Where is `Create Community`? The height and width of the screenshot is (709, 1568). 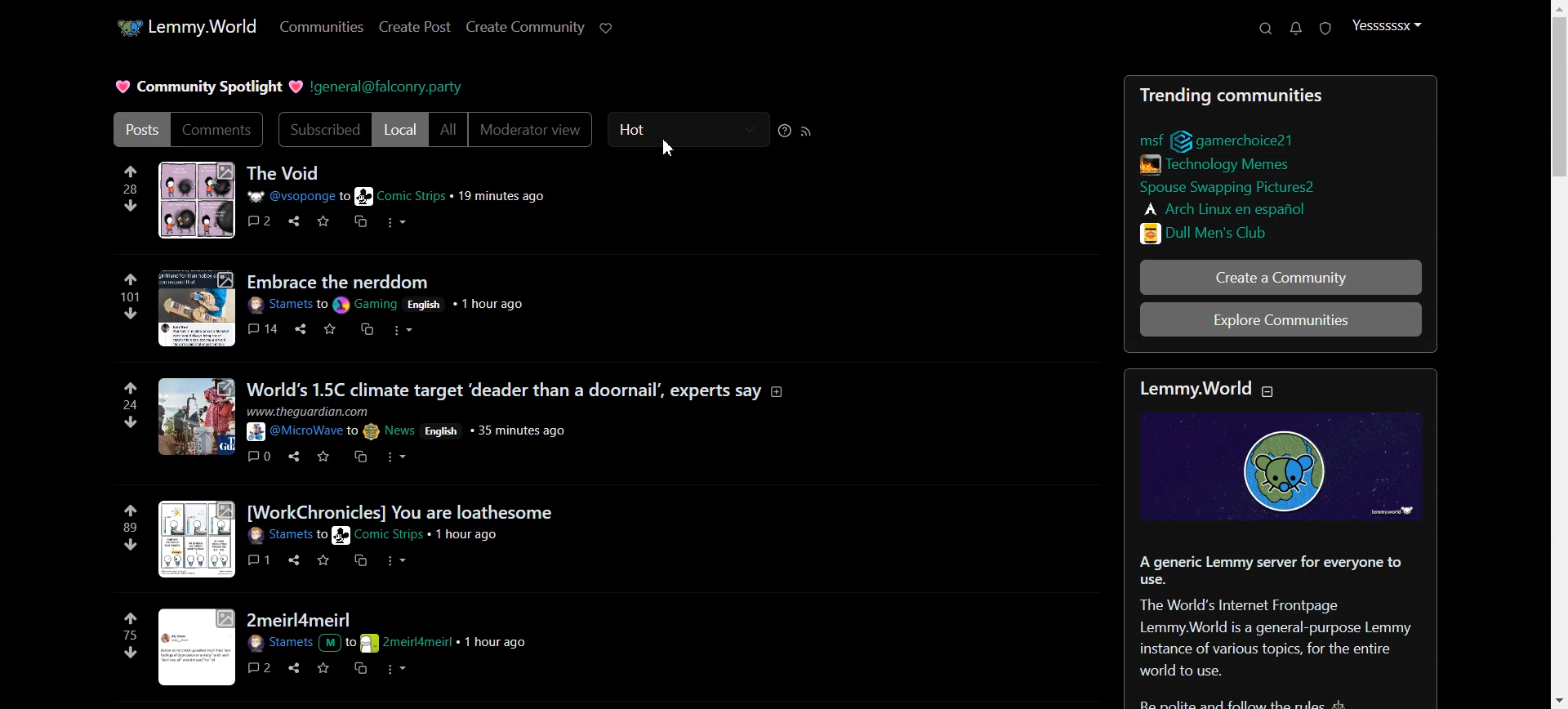 Create Community is located at coordinates (525, 27).